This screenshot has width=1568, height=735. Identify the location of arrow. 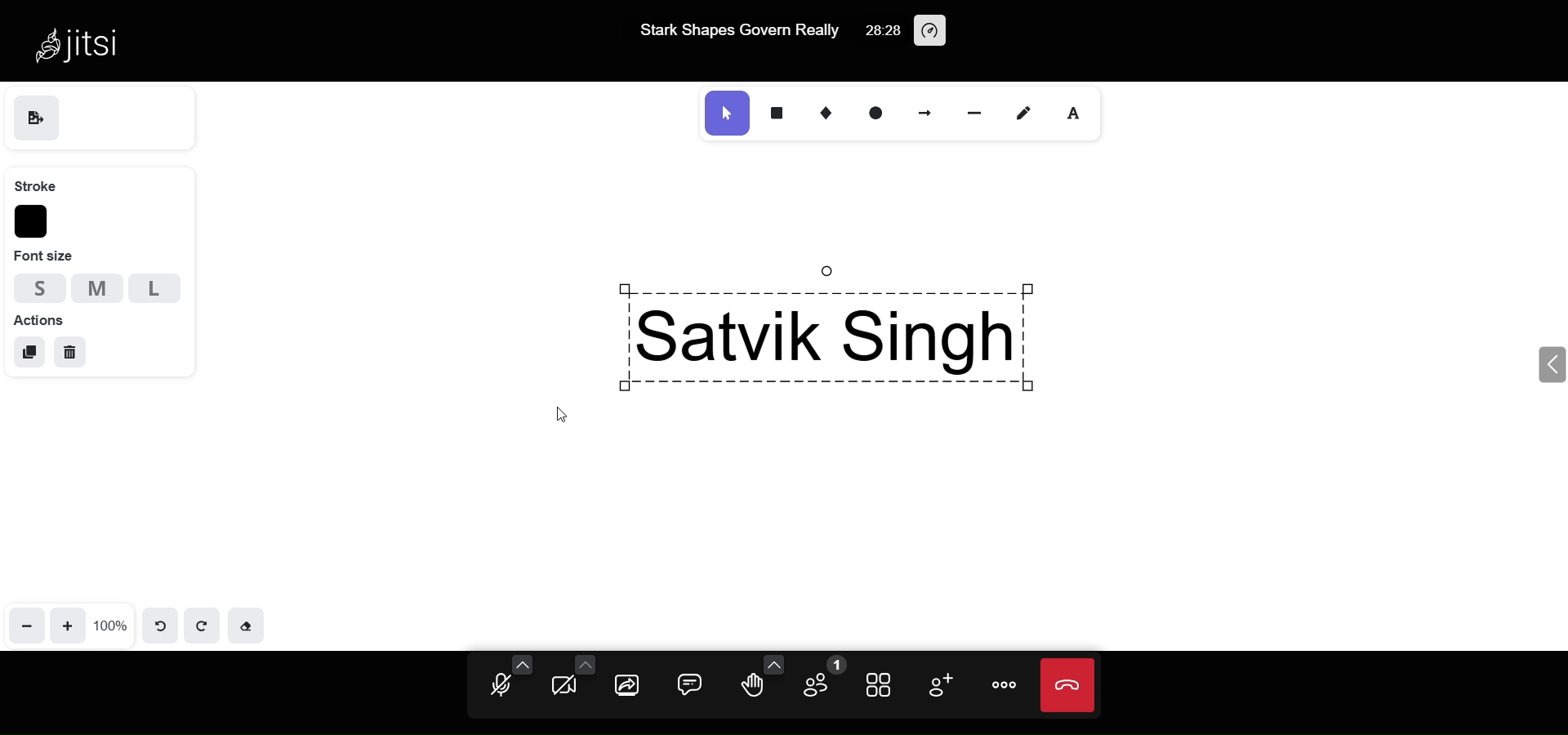
(922, 113).